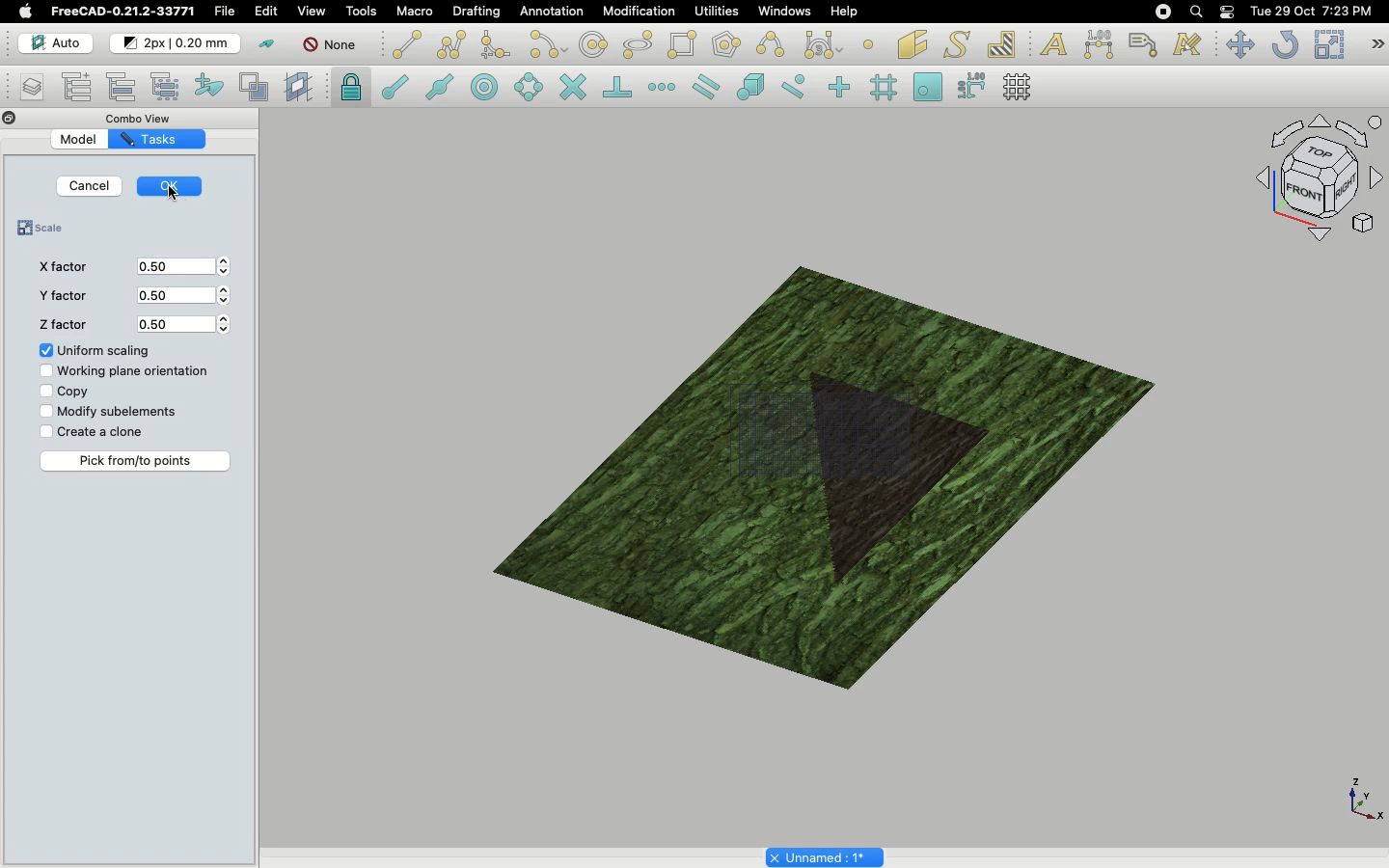 The width and height of the screenshot is (1389, 868). What do you see at coordinates (1195, 12) in the screenshot?
I see `Search` at bounding box center [1195, 12].